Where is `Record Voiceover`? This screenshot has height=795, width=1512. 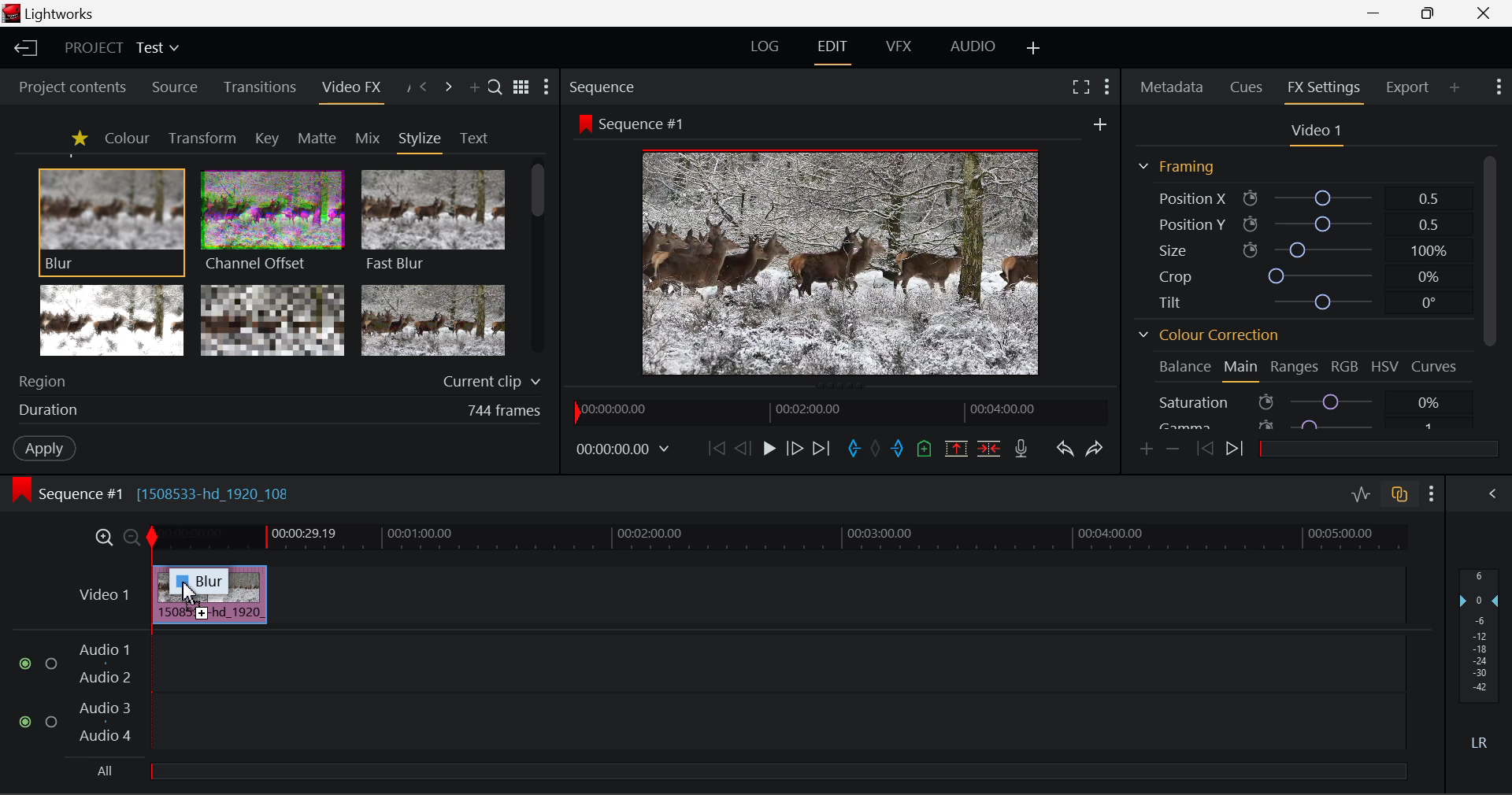
Record Voiceover is located at coordinates (1022, 447).